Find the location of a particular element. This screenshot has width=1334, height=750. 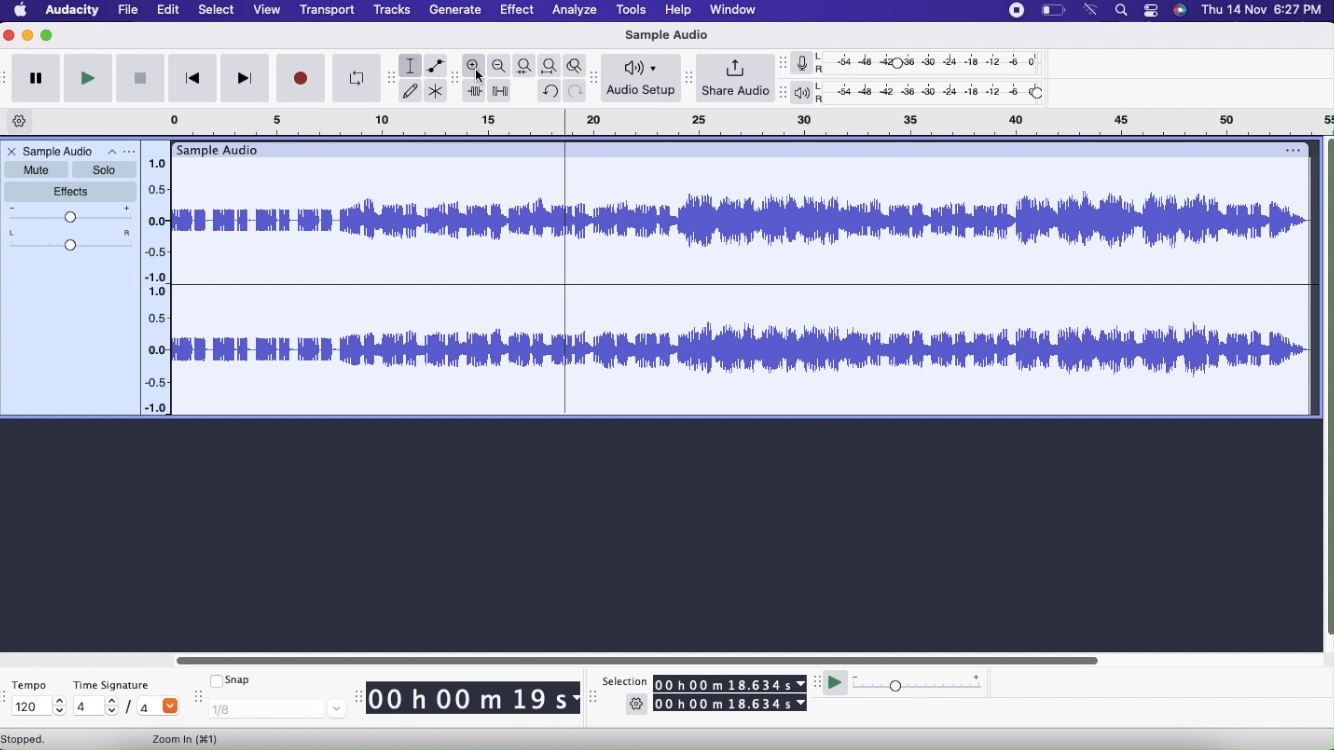

Zoom Out is located at coordinates (500, 66).